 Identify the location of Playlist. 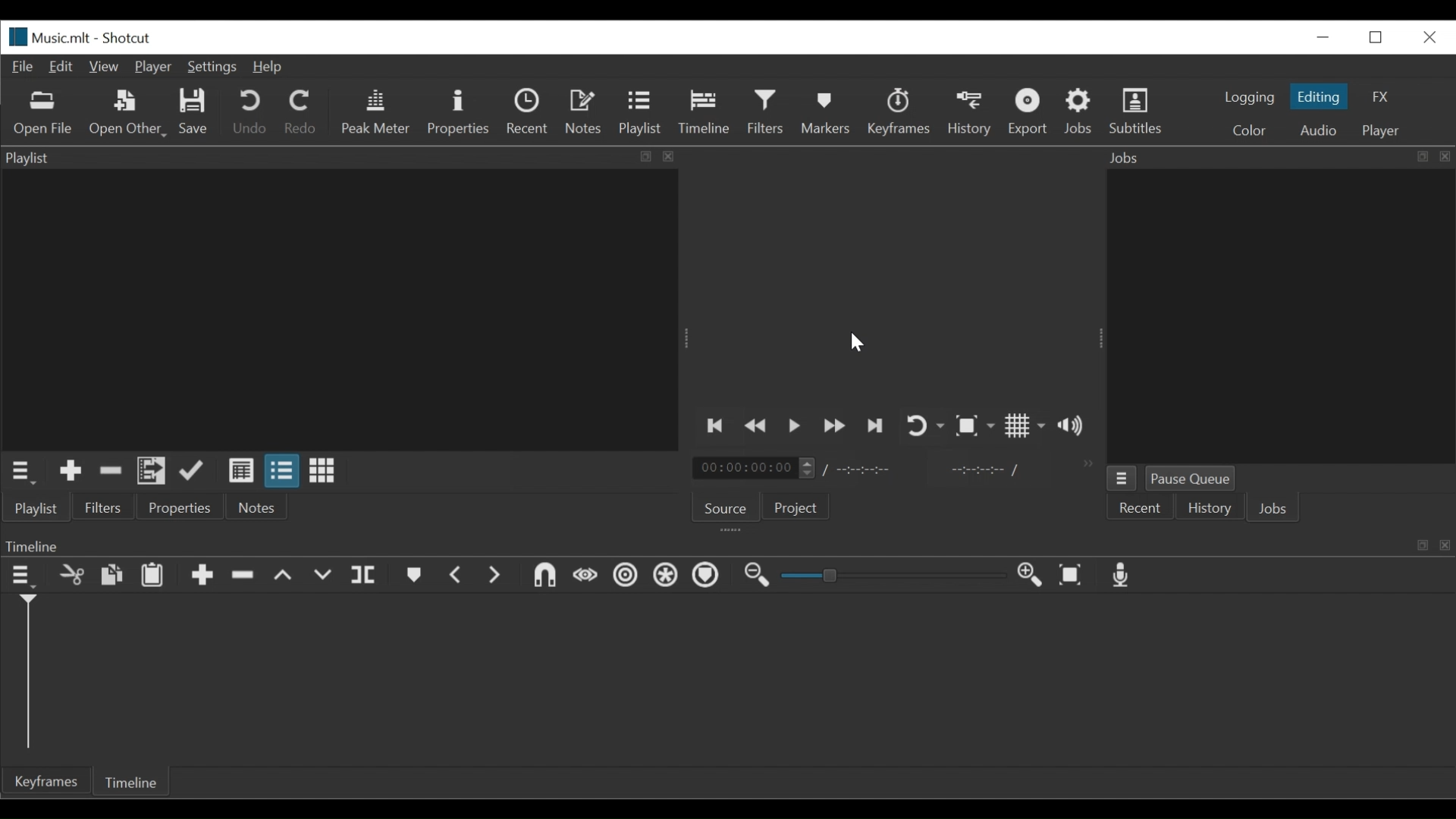
(35, 507).